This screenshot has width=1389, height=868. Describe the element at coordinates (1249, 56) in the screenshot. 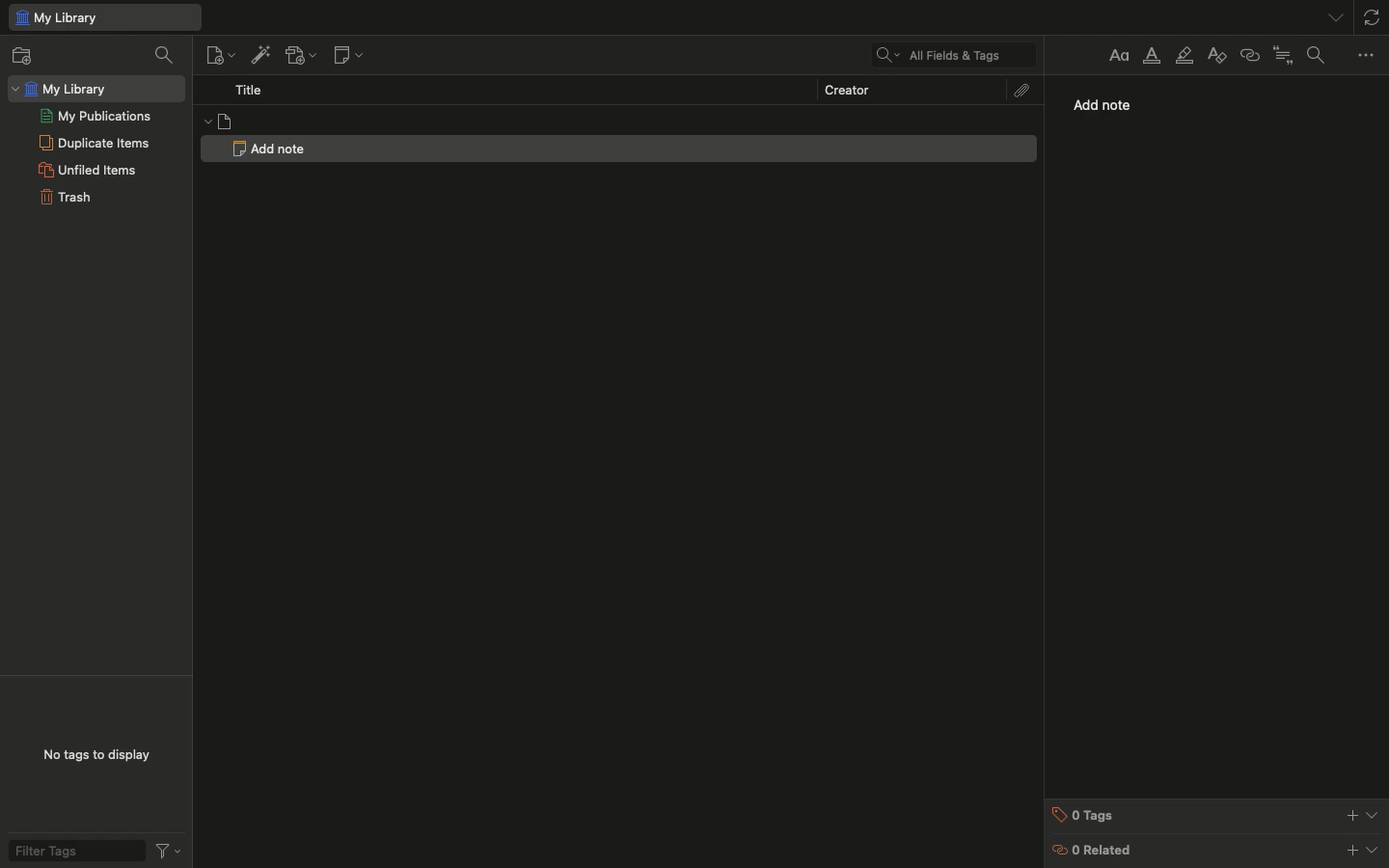

I see `Insert link` at that location.